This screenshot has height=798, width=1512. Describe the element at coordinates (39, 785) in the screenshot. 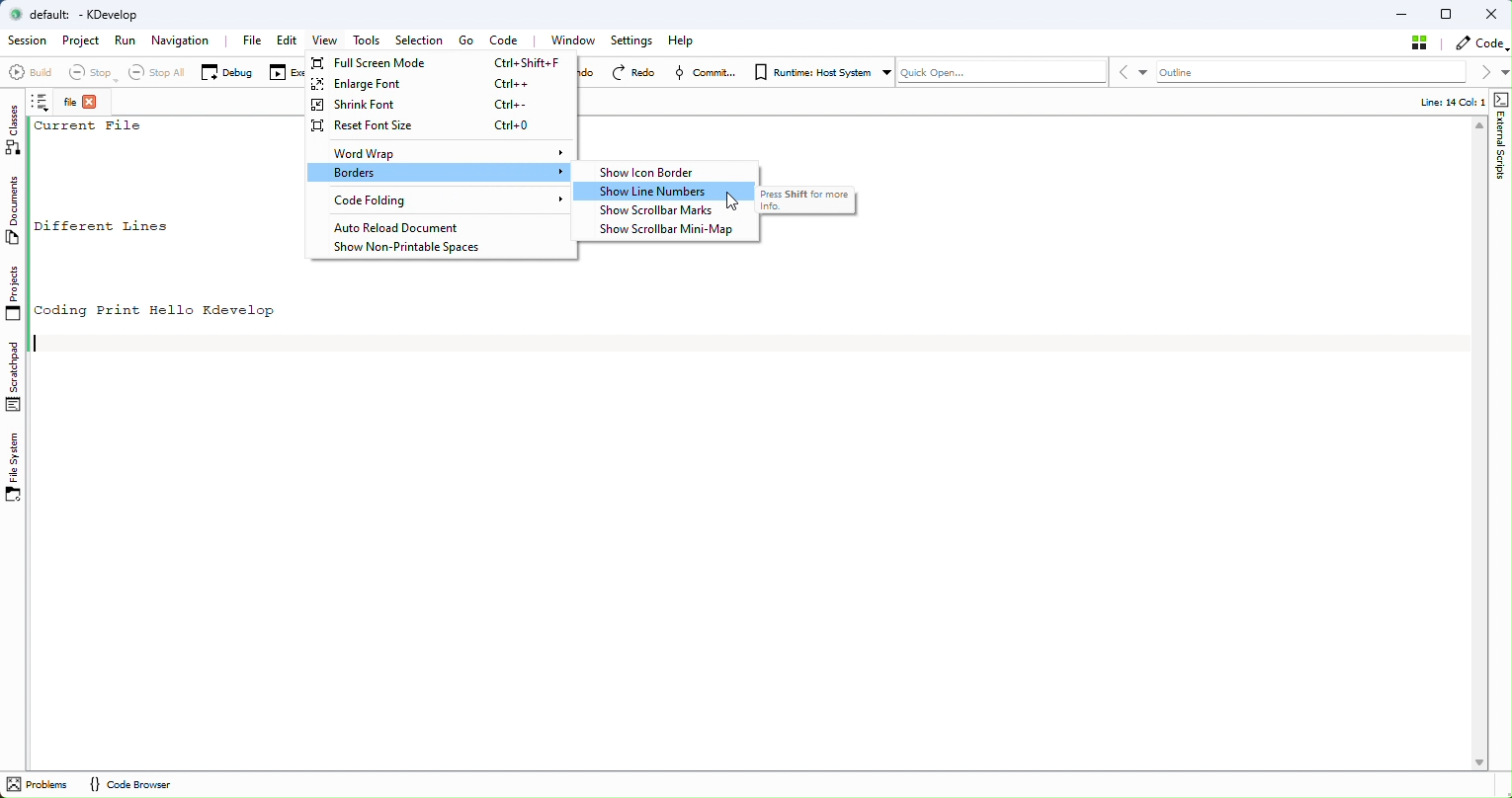

I see `Problems` at that location.